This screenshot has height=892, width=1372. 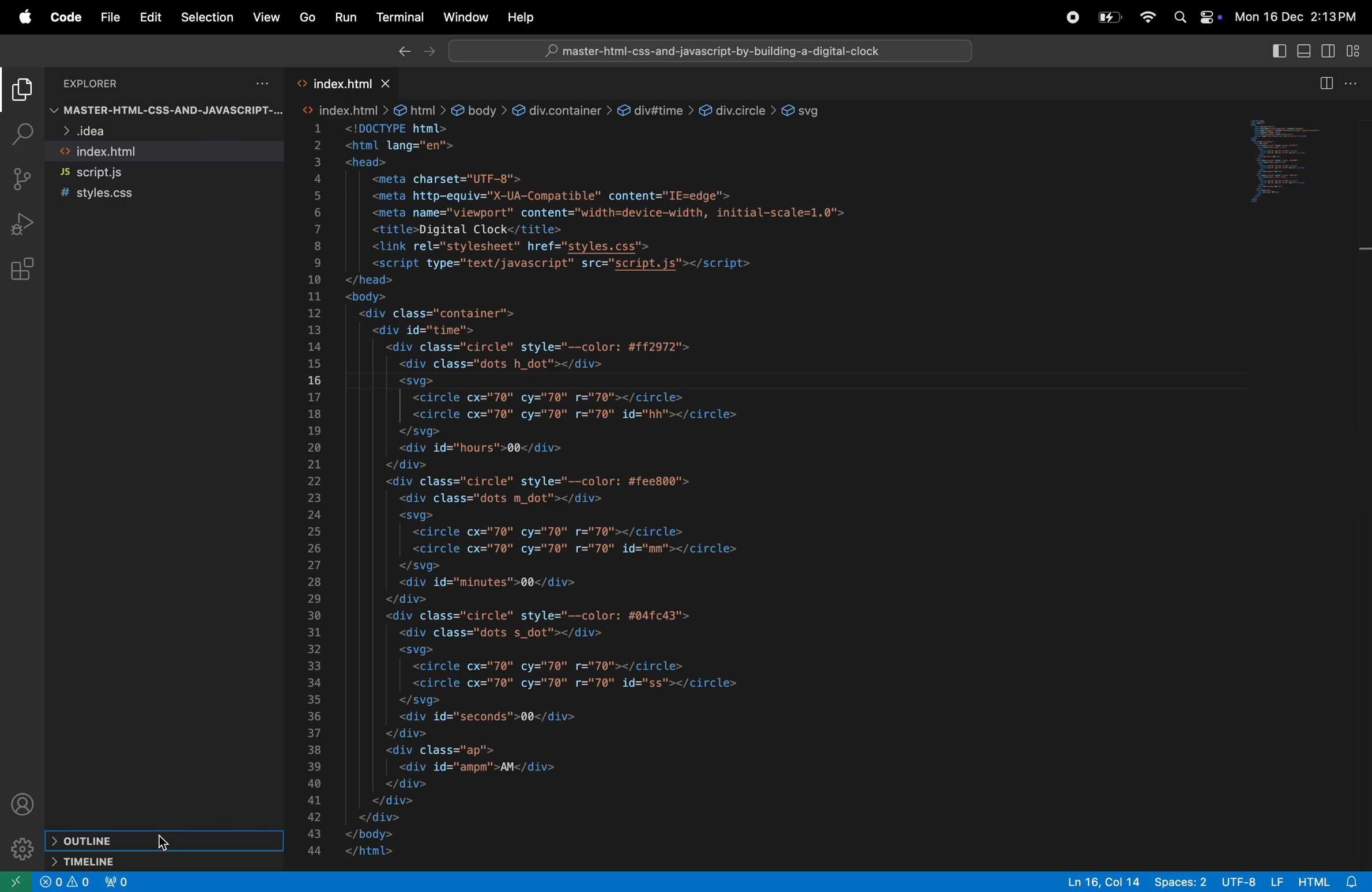 What do you see at coordinates (164, 843) in the screenshot?
I see `Cursor` at bounding box center [164, 843].